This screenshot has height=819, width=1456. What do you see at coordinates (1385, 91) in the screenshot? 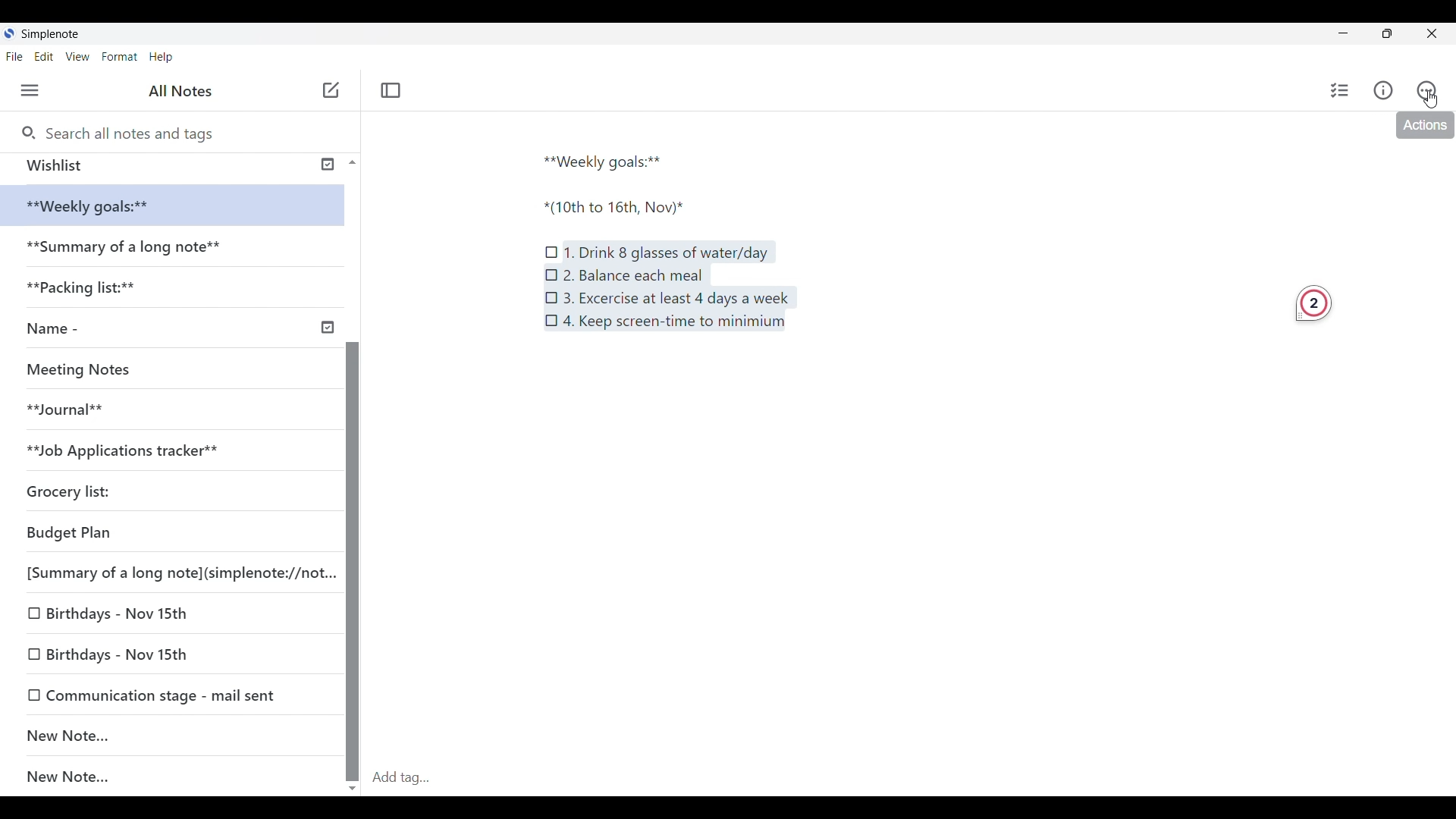
I see `Info` at bounding box center [1385, 91].